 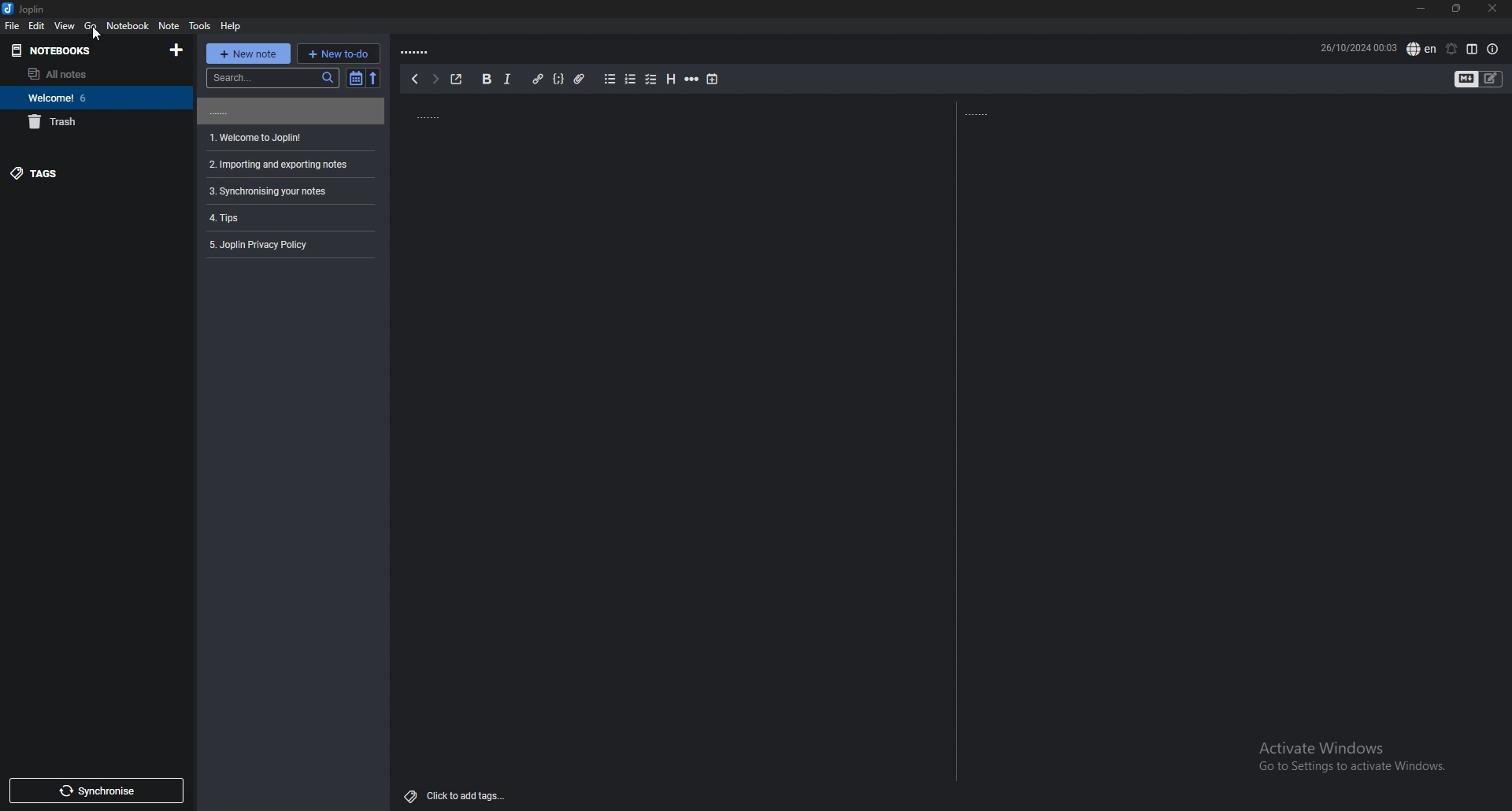 What do you see at coordinates (76, 50) in the screenshot?
I see `notebooks` at bounding box center [76, 50].